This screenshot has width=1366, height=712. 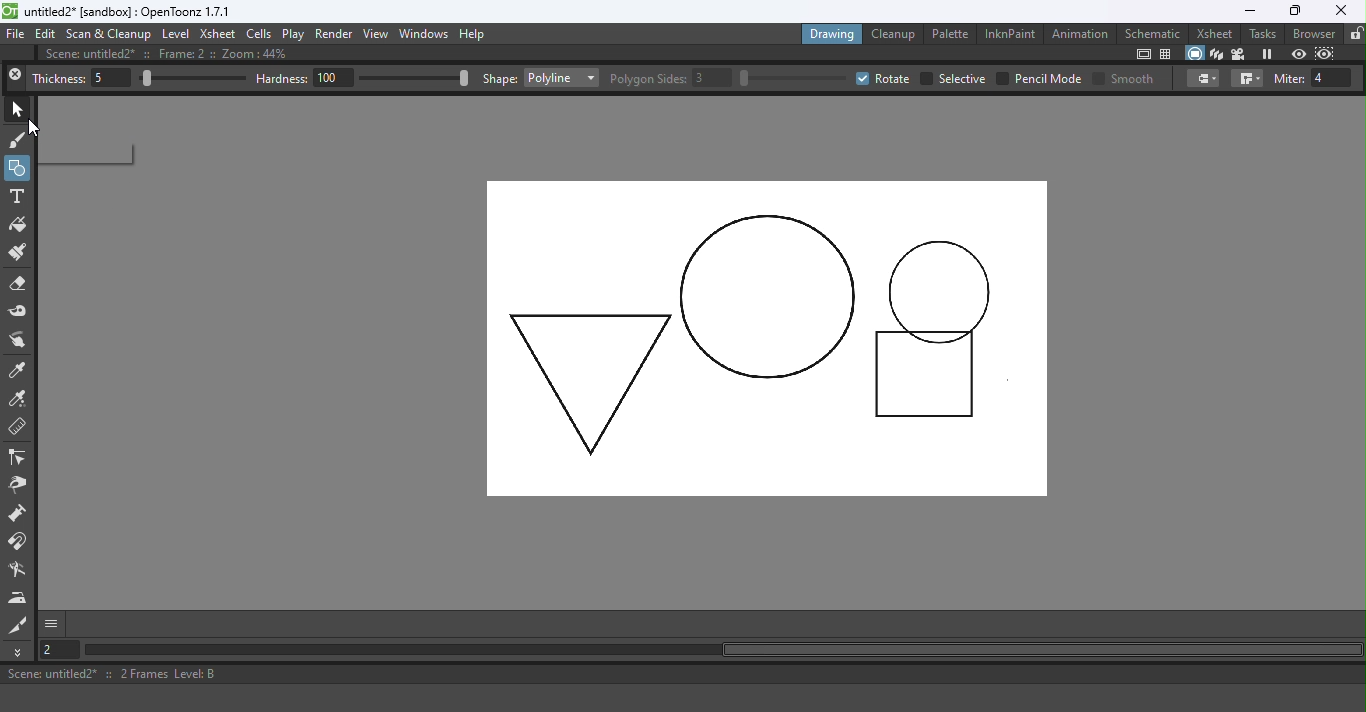 I want to click on Polygon sides, so click(x=670, y=77).